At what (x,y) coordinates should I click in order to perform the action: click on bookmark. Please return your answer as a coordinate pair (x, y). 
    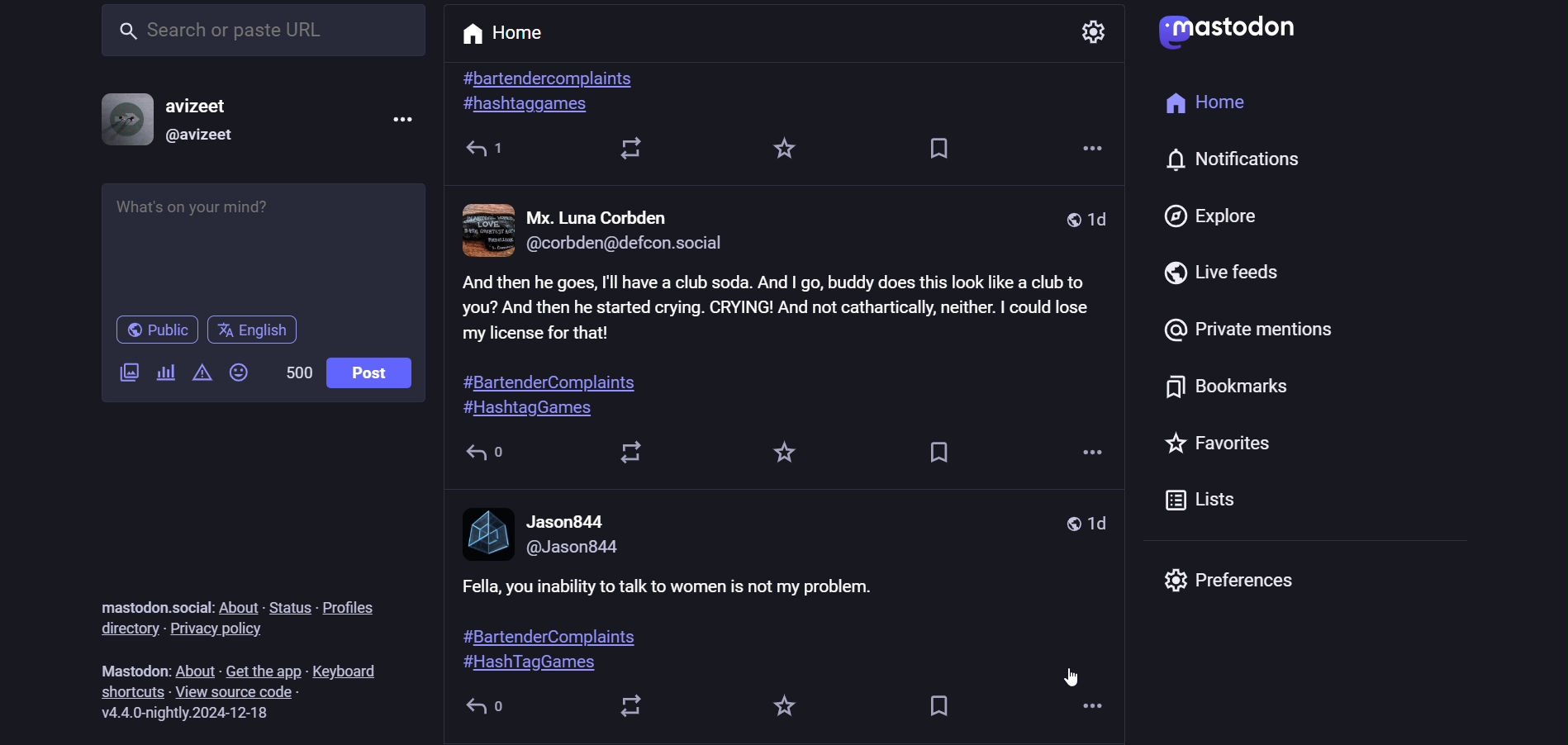
    Looking at the image, I should click on (942, 709).